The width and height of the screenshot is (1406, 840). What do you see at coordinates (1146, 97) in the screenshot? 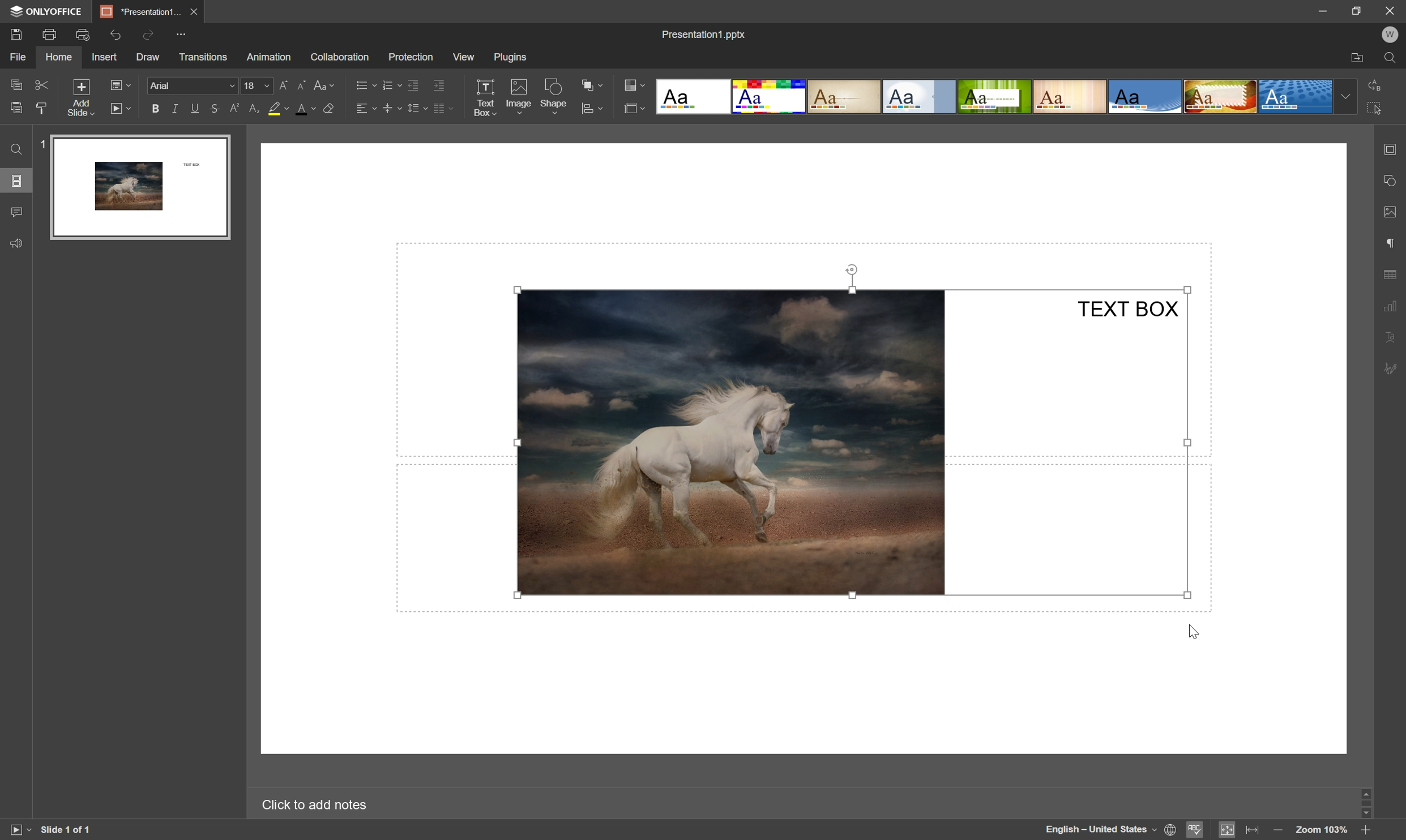
I see `Office` at bounding box center [1146, 97].